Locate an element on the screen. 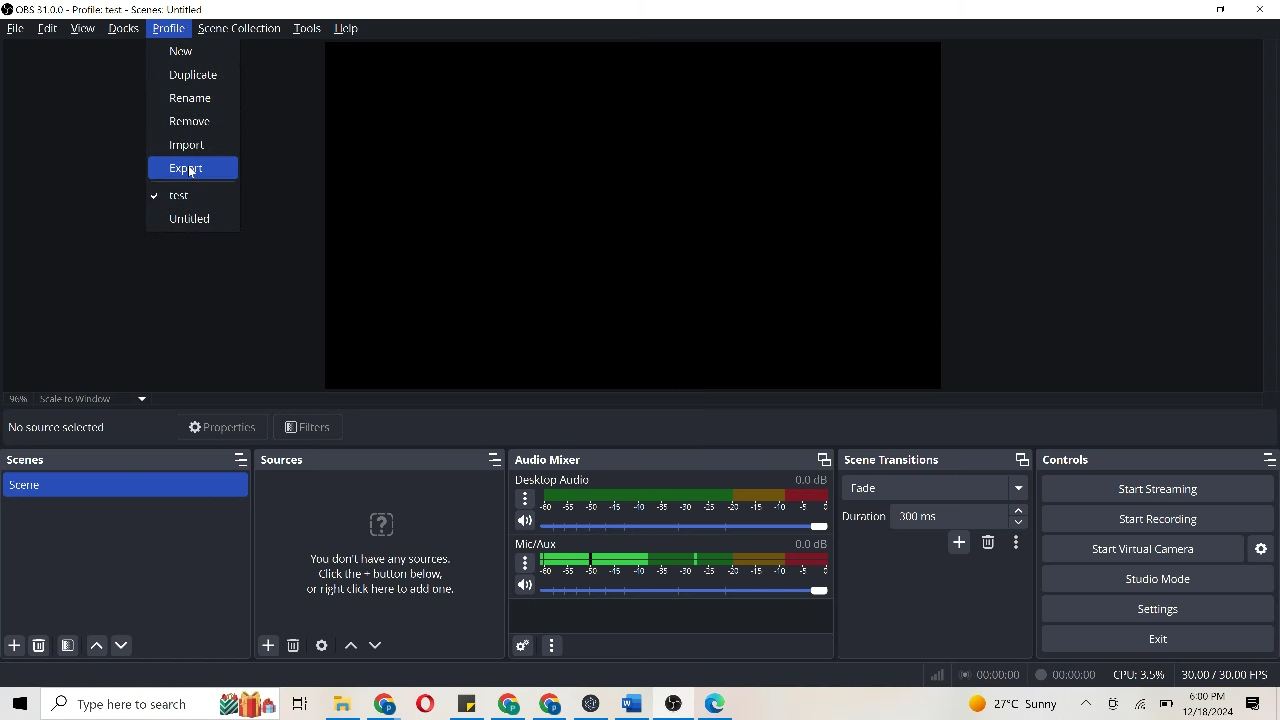  Start recording is located at coordinates (1156, 523).